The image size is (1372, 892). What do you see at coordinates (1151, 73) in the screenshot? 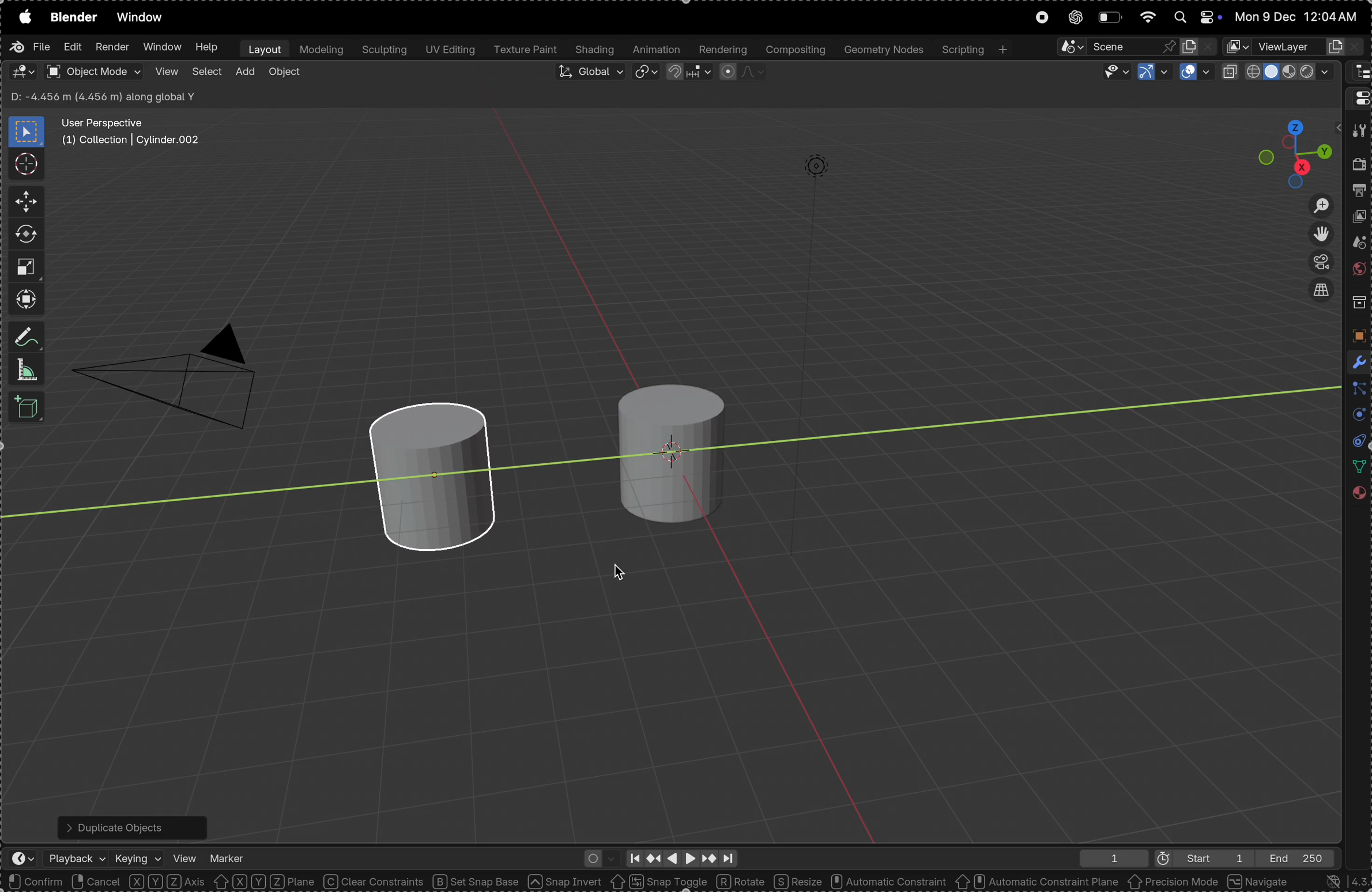
I see `show gimzo` at bounding box center [1151, 73].